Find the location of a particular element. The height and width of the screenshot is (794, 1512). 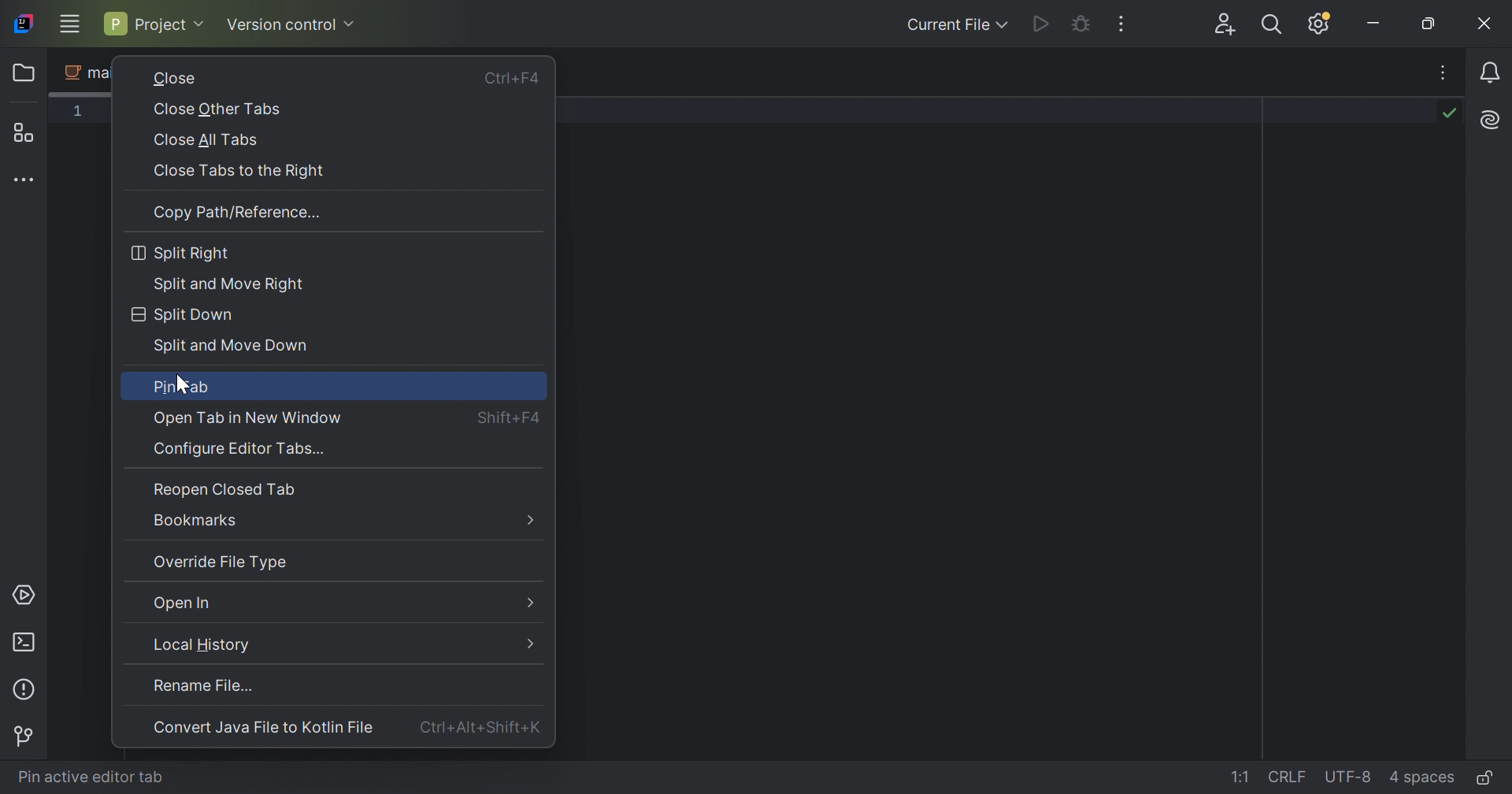

More actions is located at coordinates (1119, 24).